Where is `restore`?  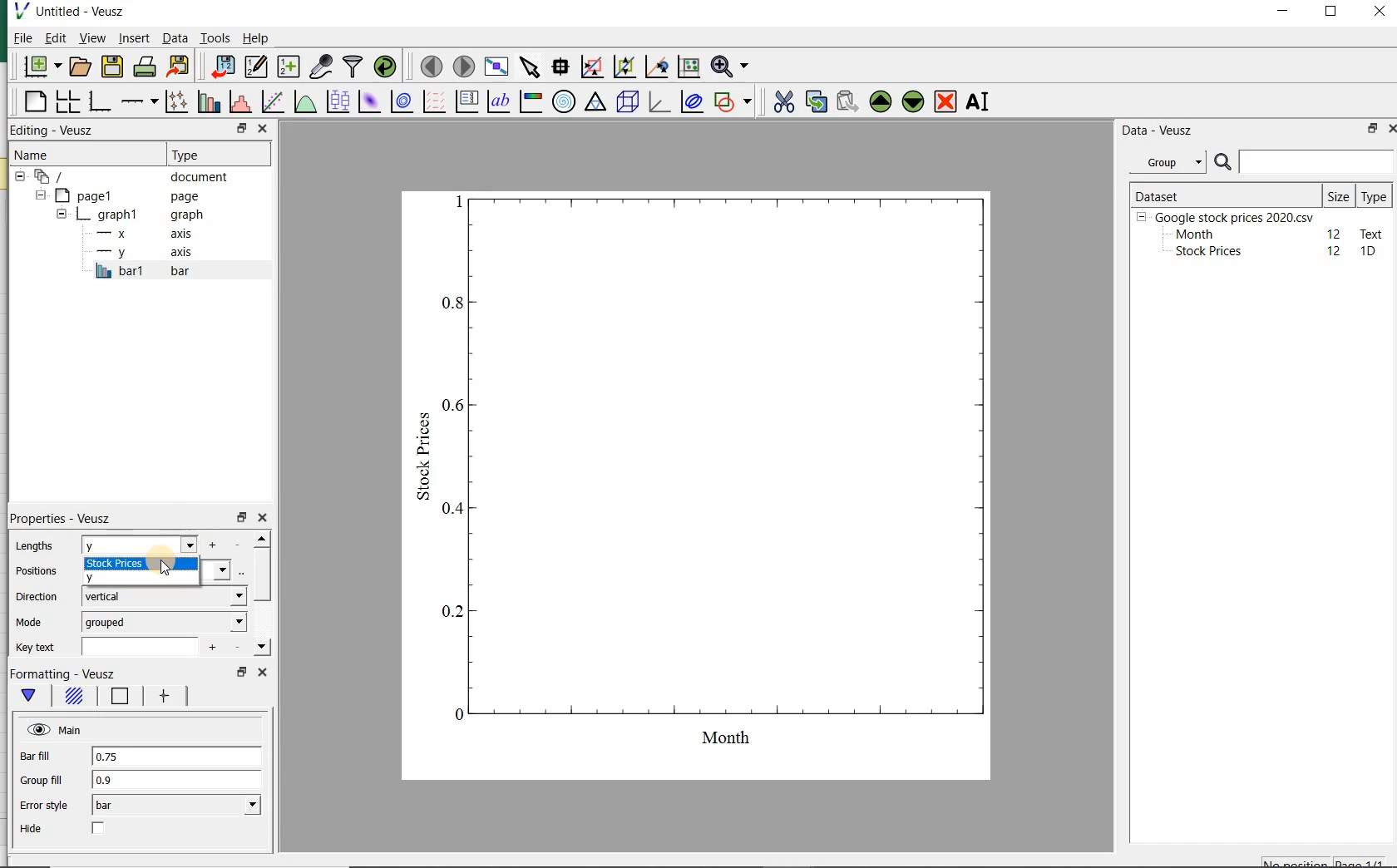 restore is located at coordinates (240, 518).